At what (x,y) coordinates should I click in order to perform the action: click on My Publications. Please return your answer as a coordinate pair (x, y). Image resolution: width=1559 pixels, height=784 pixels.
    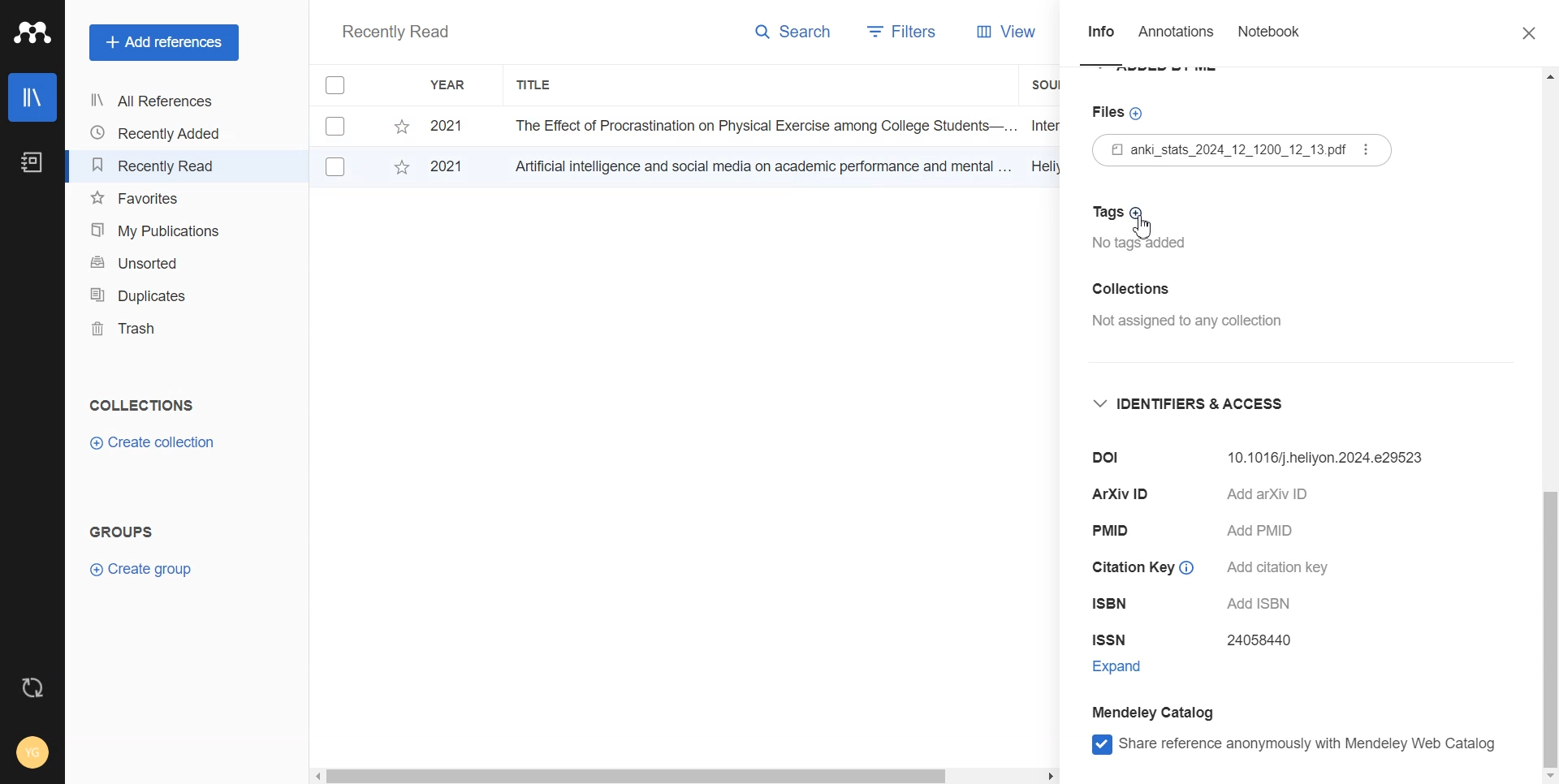
    Looking at the image, I should click on (159, 230).